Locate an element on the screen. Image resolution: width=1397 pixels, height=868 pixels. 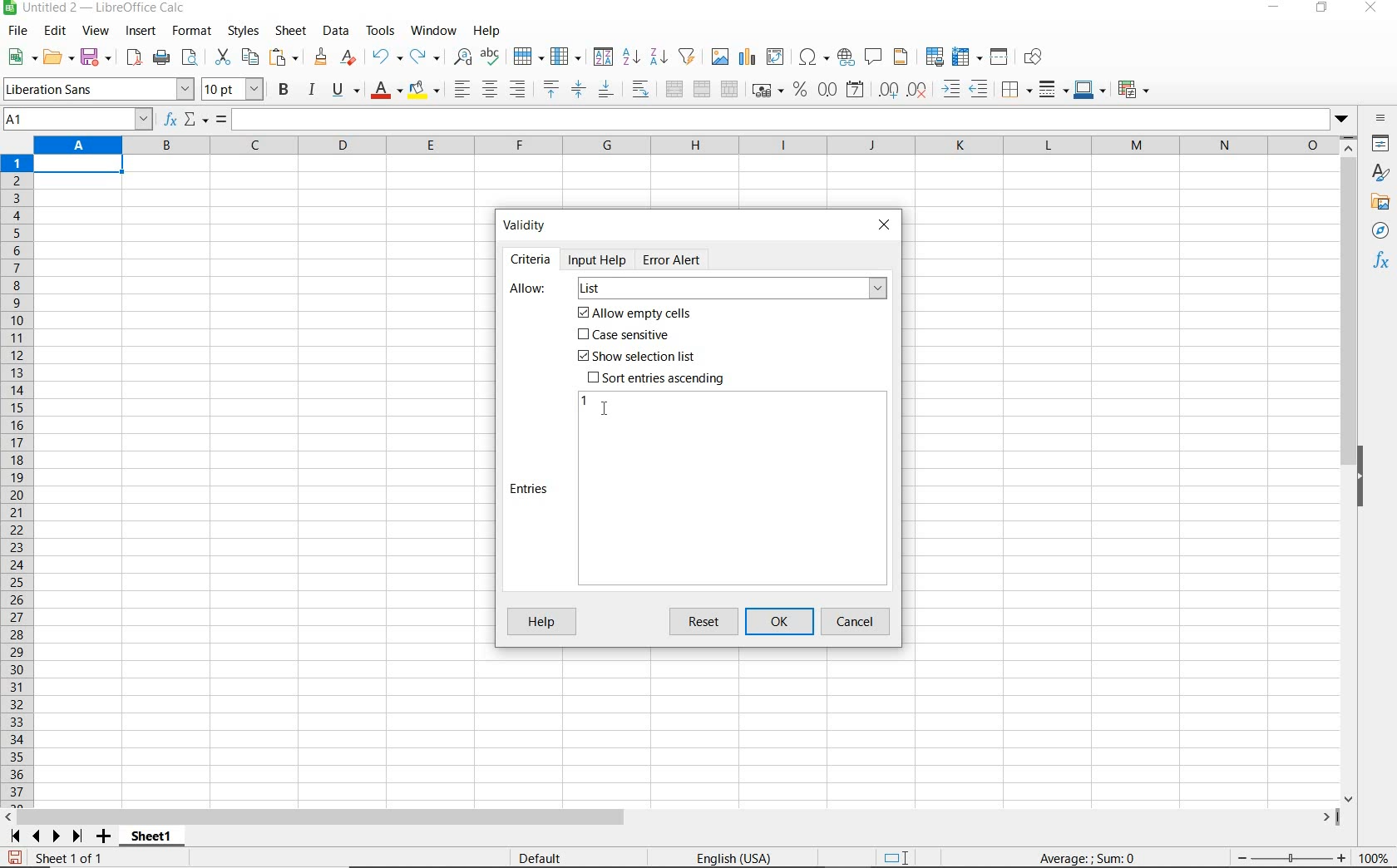
wrap text is located at coordinates (643, 88).